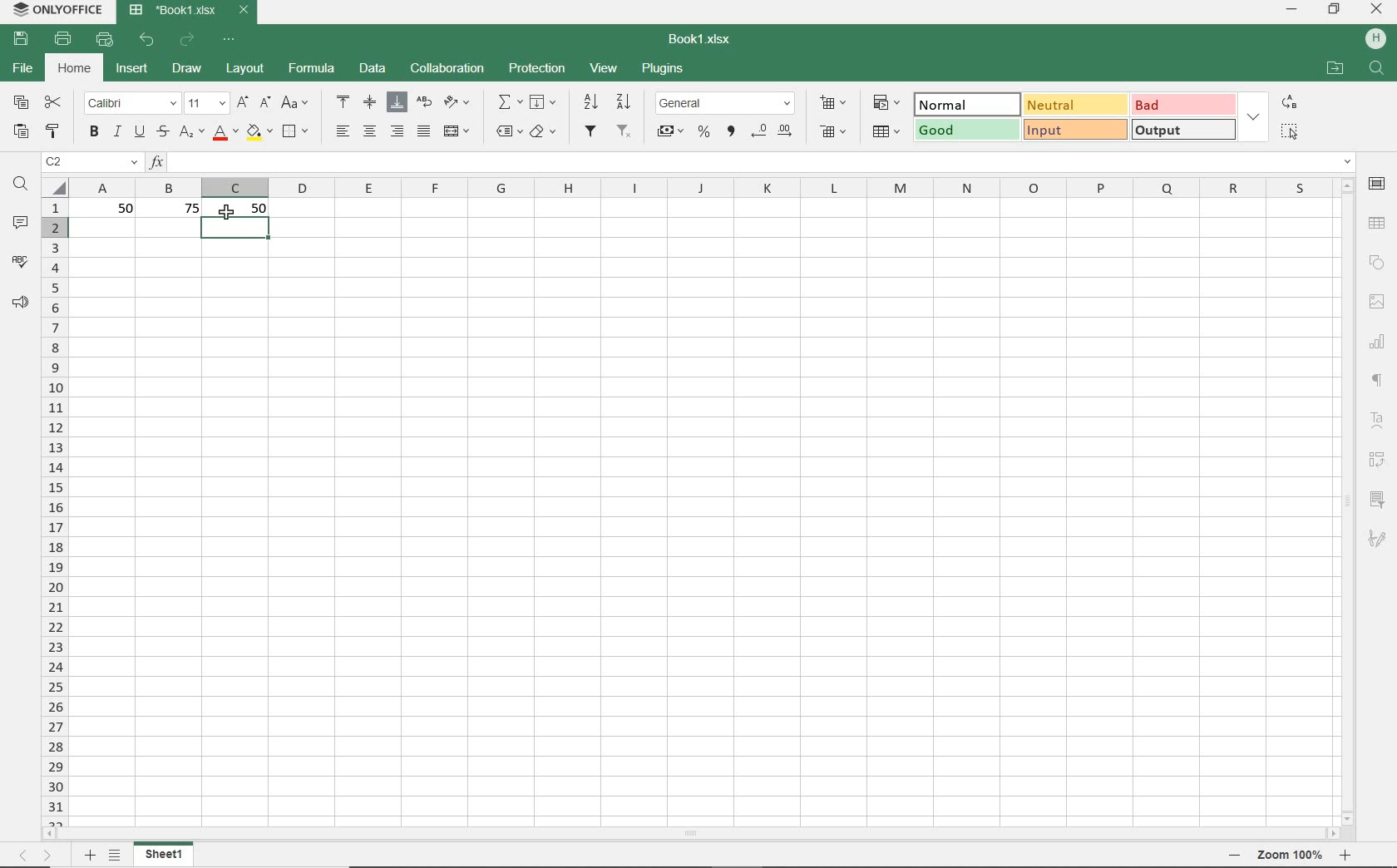  Describe the element at coordinates (20, 40) in the screenshot. I see `save` at that location.